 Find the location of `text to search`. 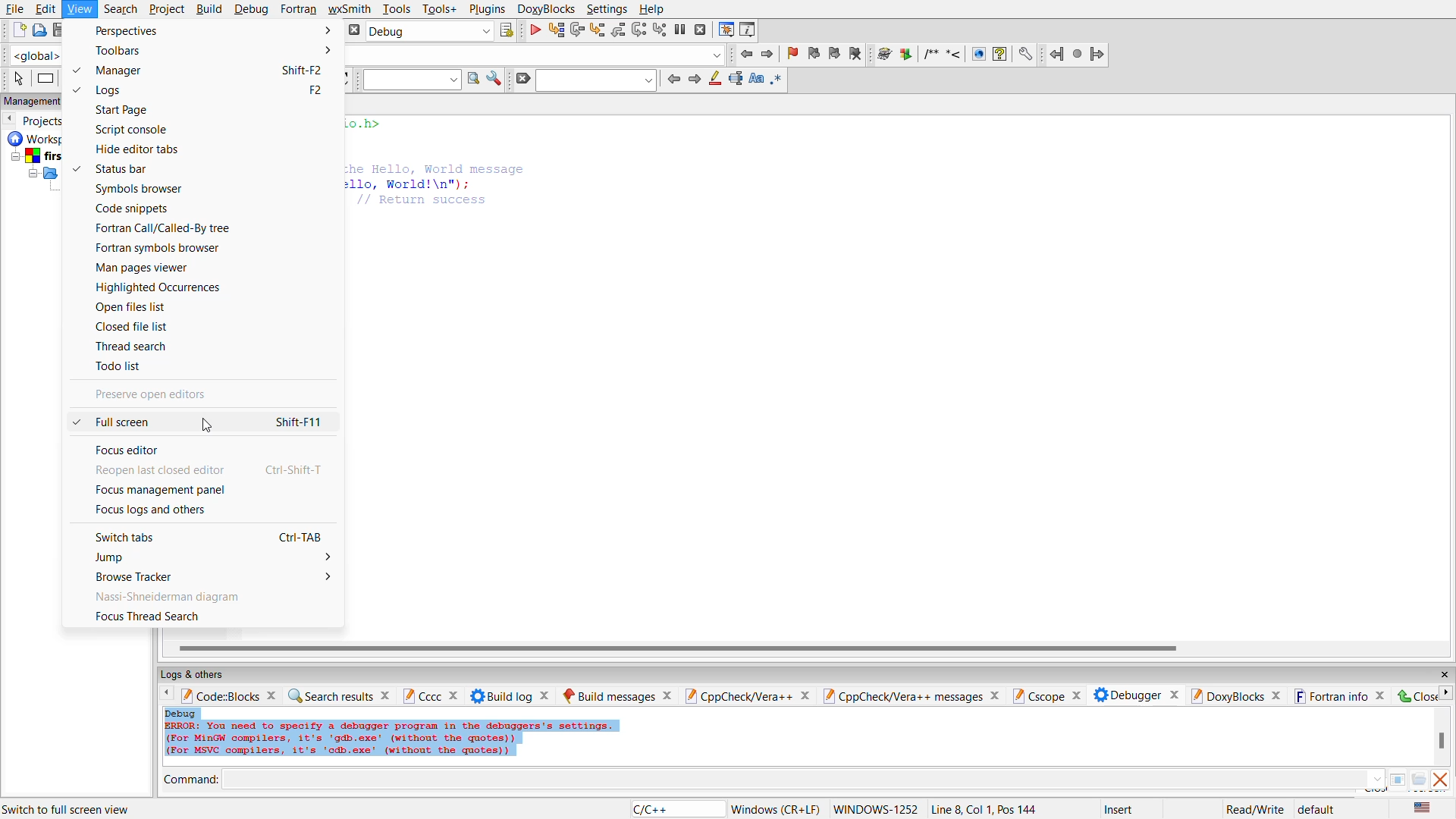

text to search is located at coordinates (412, 79).